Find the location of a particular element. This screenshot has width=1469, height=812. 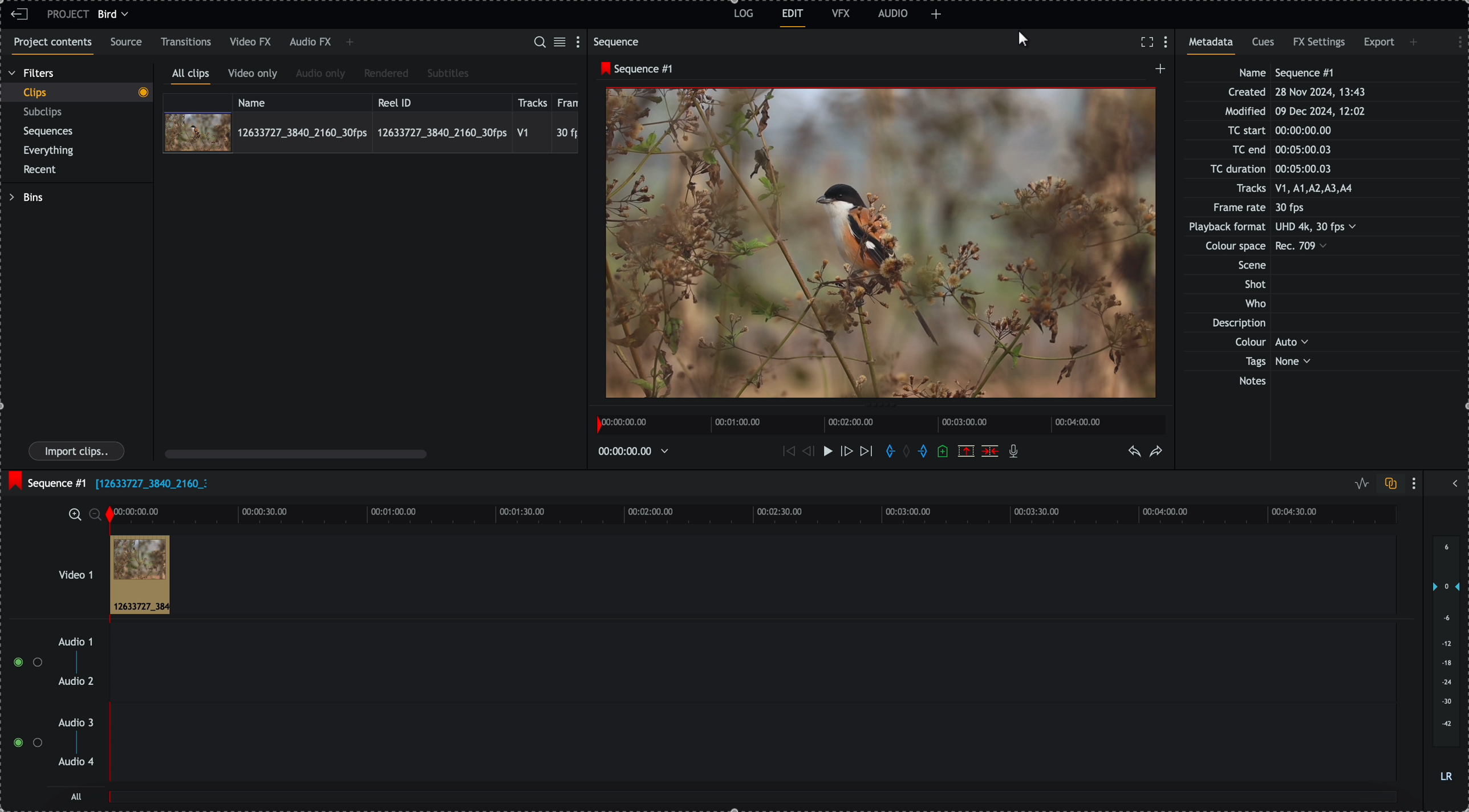

transitions is located at coordinates (186, 42).